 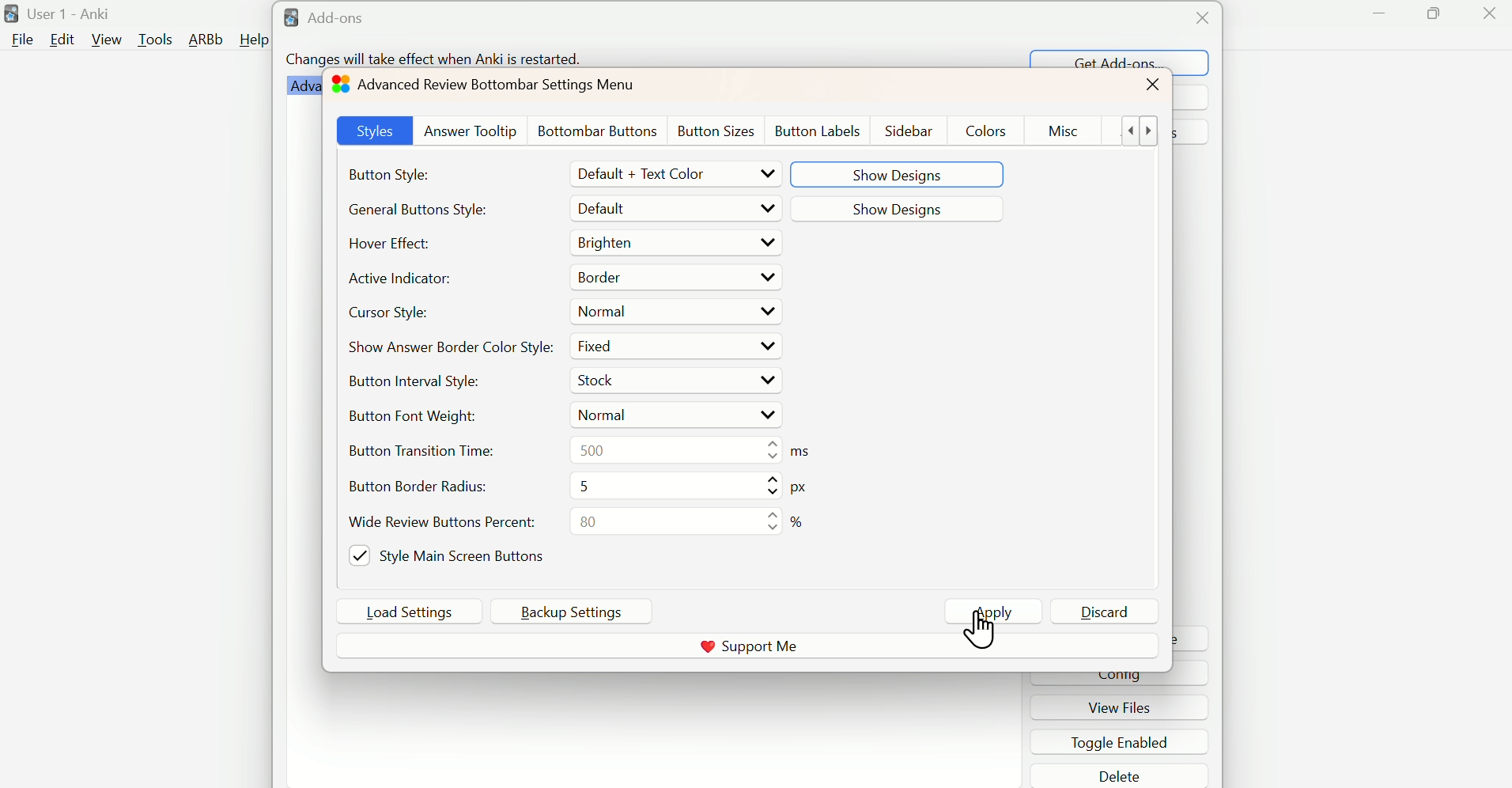 I want to click on Styles, so click(x=372, y=129).